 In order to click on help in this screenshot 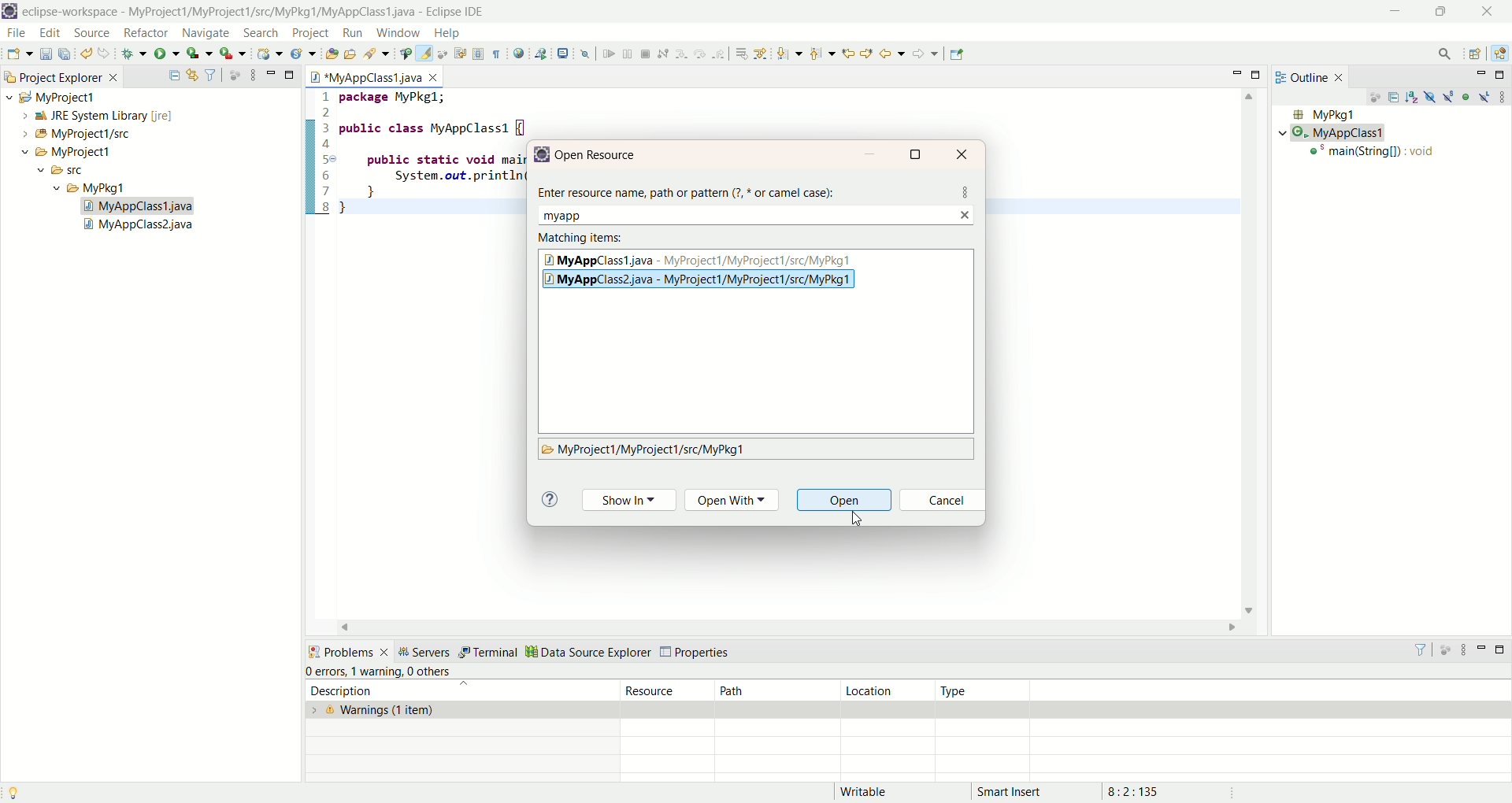, I will do `click(549, 500)`.